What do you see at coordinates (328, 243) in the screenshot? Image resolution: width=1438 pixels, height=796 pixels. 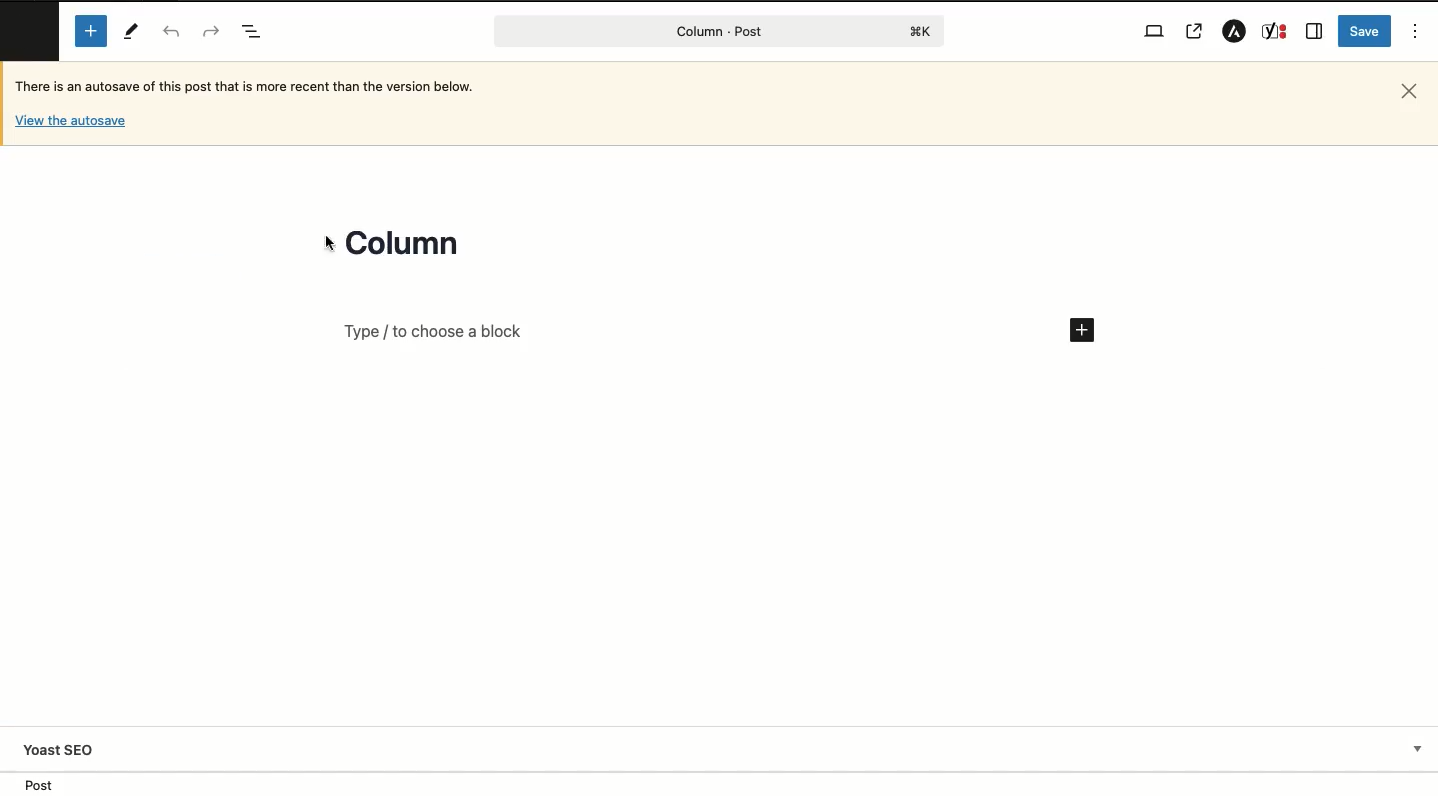 I see `mouse pointer` at bounding box center [328, 243].